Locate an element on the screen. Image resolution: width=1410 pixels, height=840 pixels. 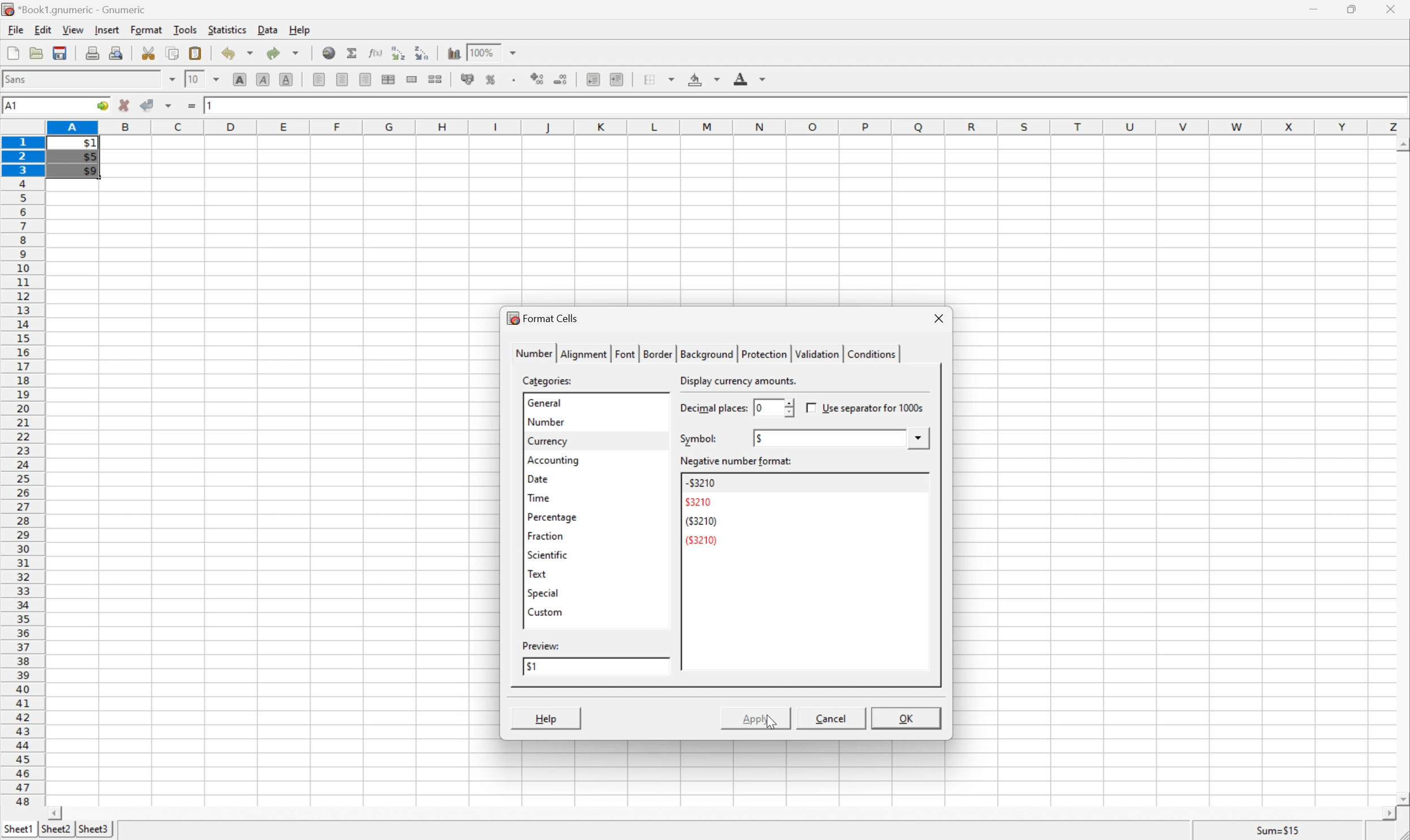
Sort the selected region in ascending order based on the first column selected is located at coordinates (399, 52).